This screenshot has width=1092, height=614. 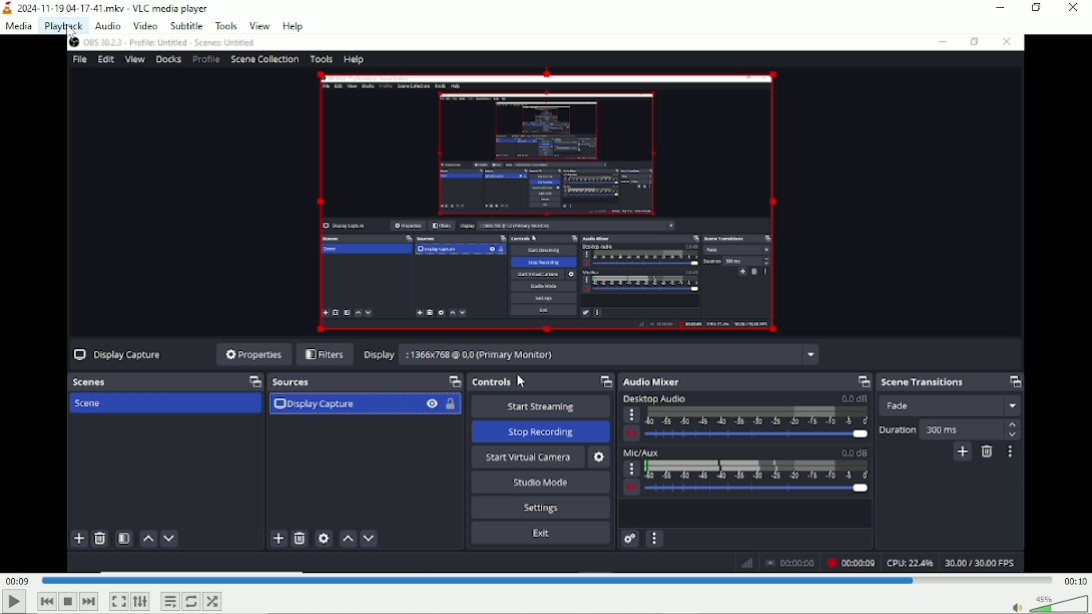 What do you see at coordinates (1044, 604) in the screenshot?
I see `Volume` at bounding box center [1044, 604].